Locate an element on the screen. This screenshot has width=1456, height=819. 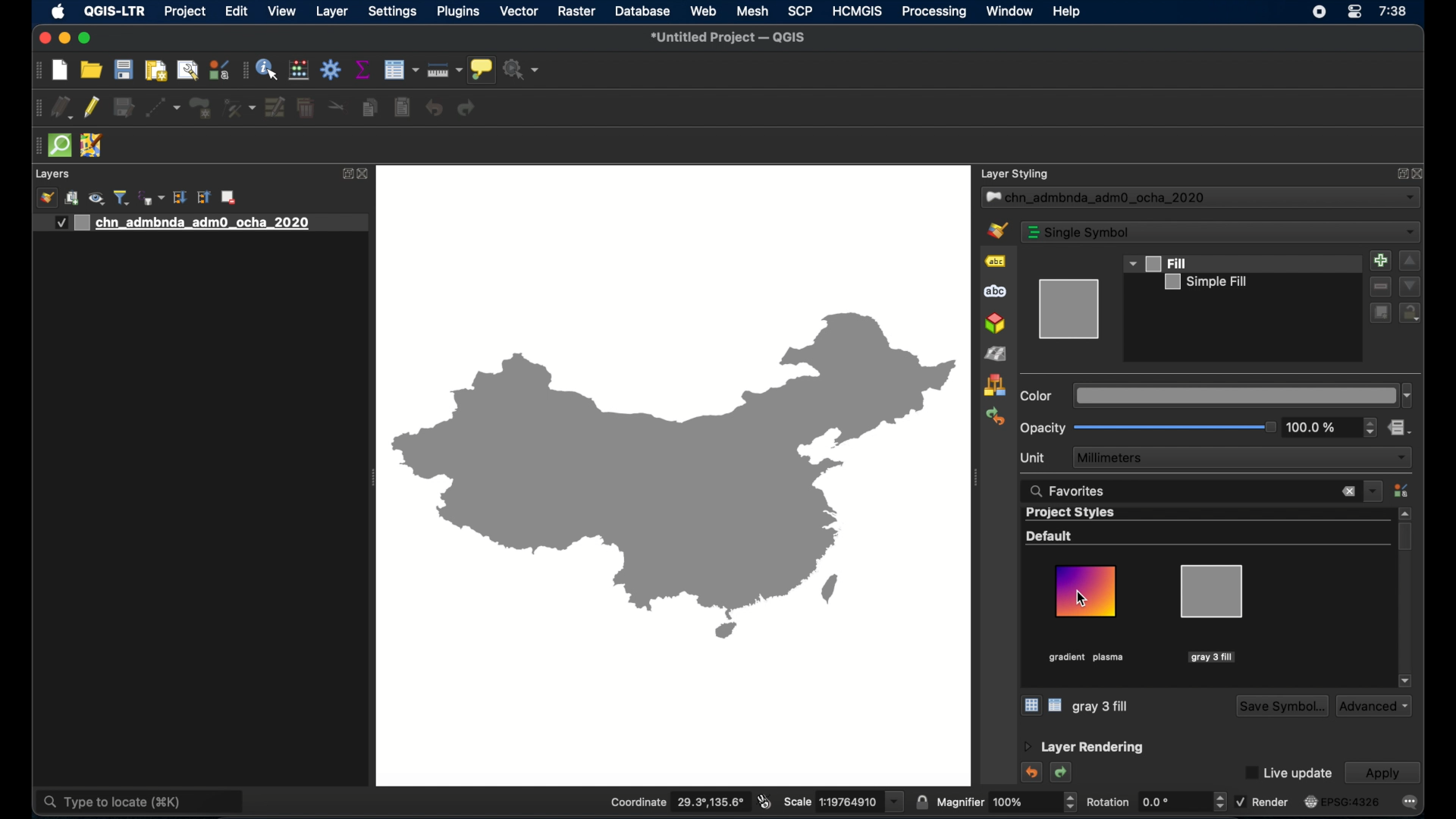
toggle mouse extents and display position is located at coordinates (765, 801).